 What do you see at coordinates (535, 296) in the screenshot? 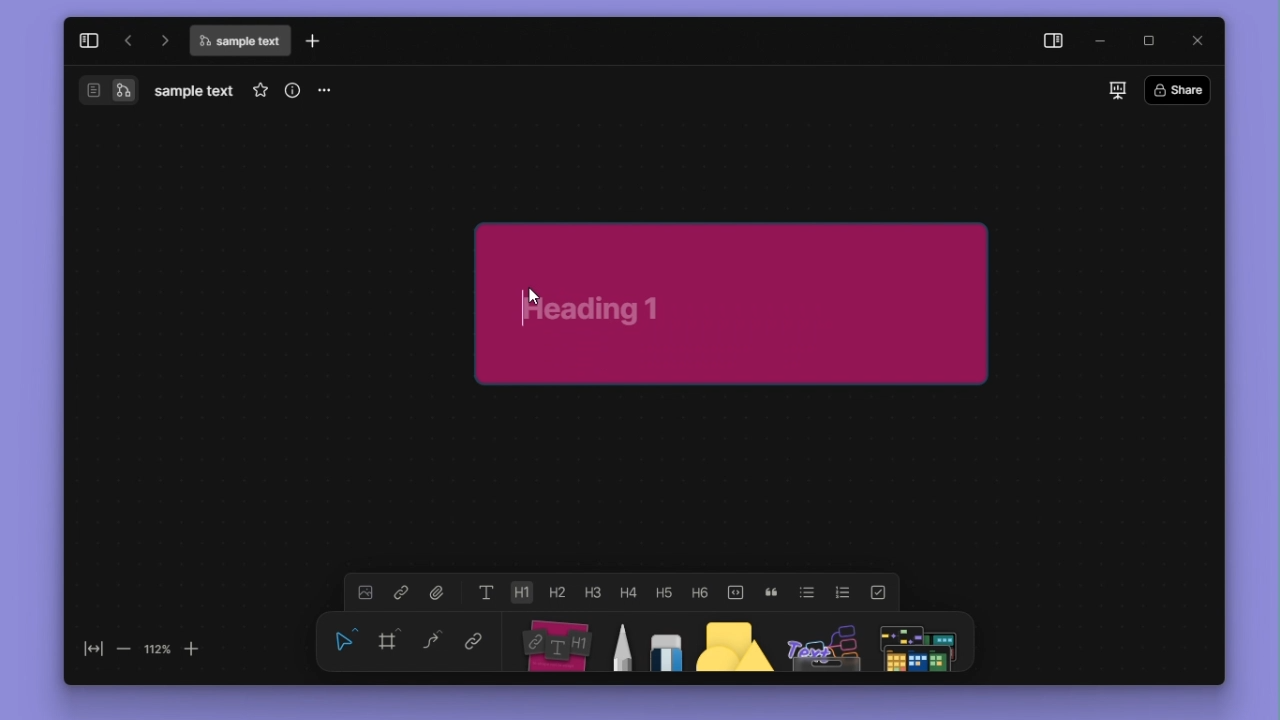
I see `cursor` at bounding box center [535, 296].